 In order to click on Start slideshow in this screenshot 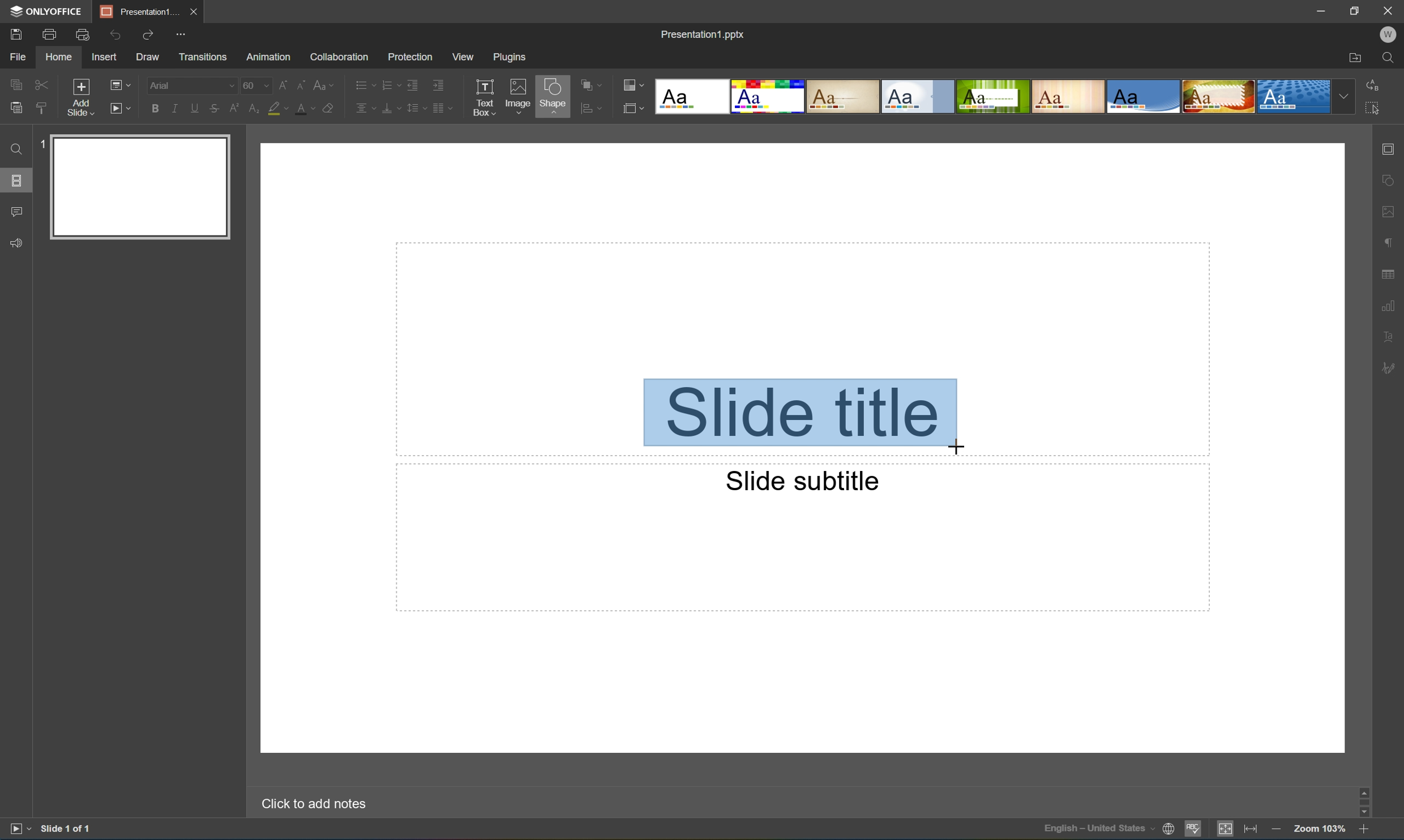, I will do `click(122, 109)`.